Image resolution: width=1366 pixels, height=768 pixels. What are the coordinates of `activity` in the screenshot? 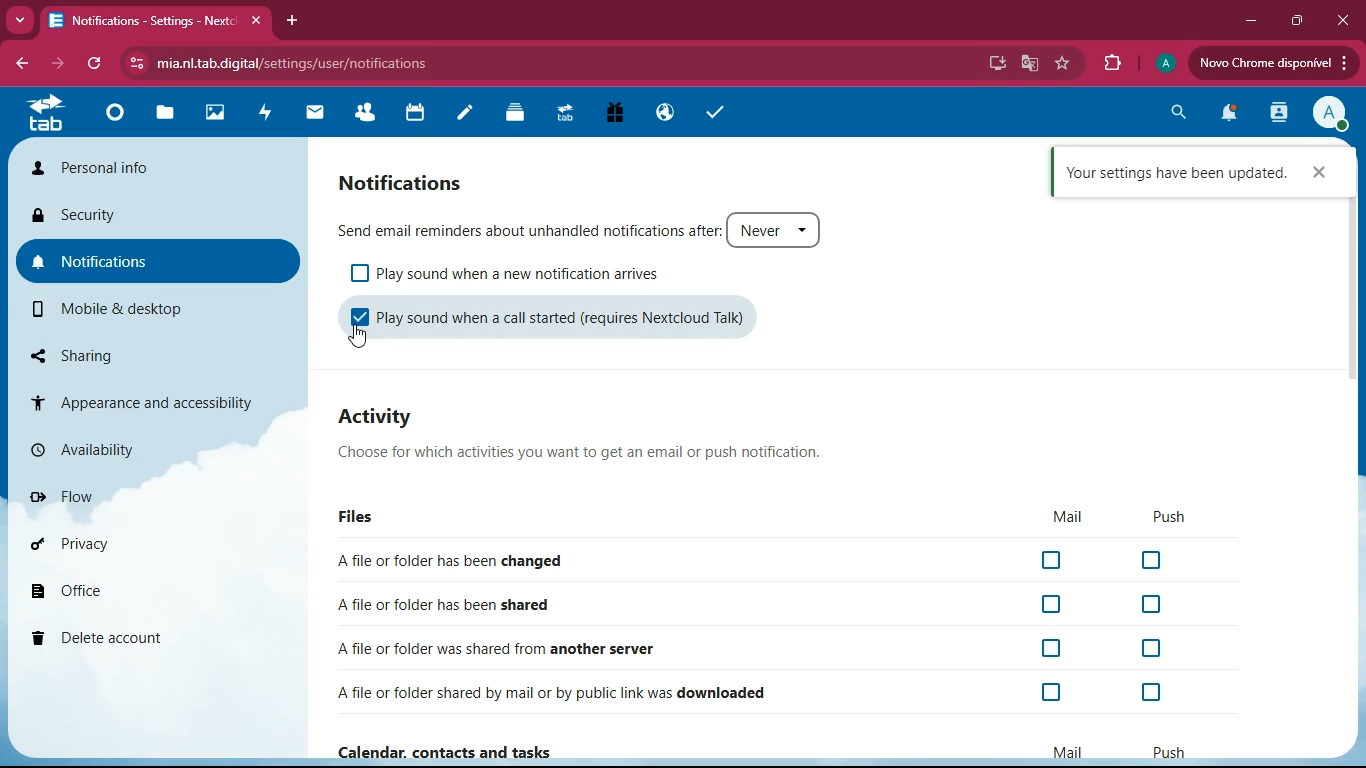 It's located at (1279, 116).